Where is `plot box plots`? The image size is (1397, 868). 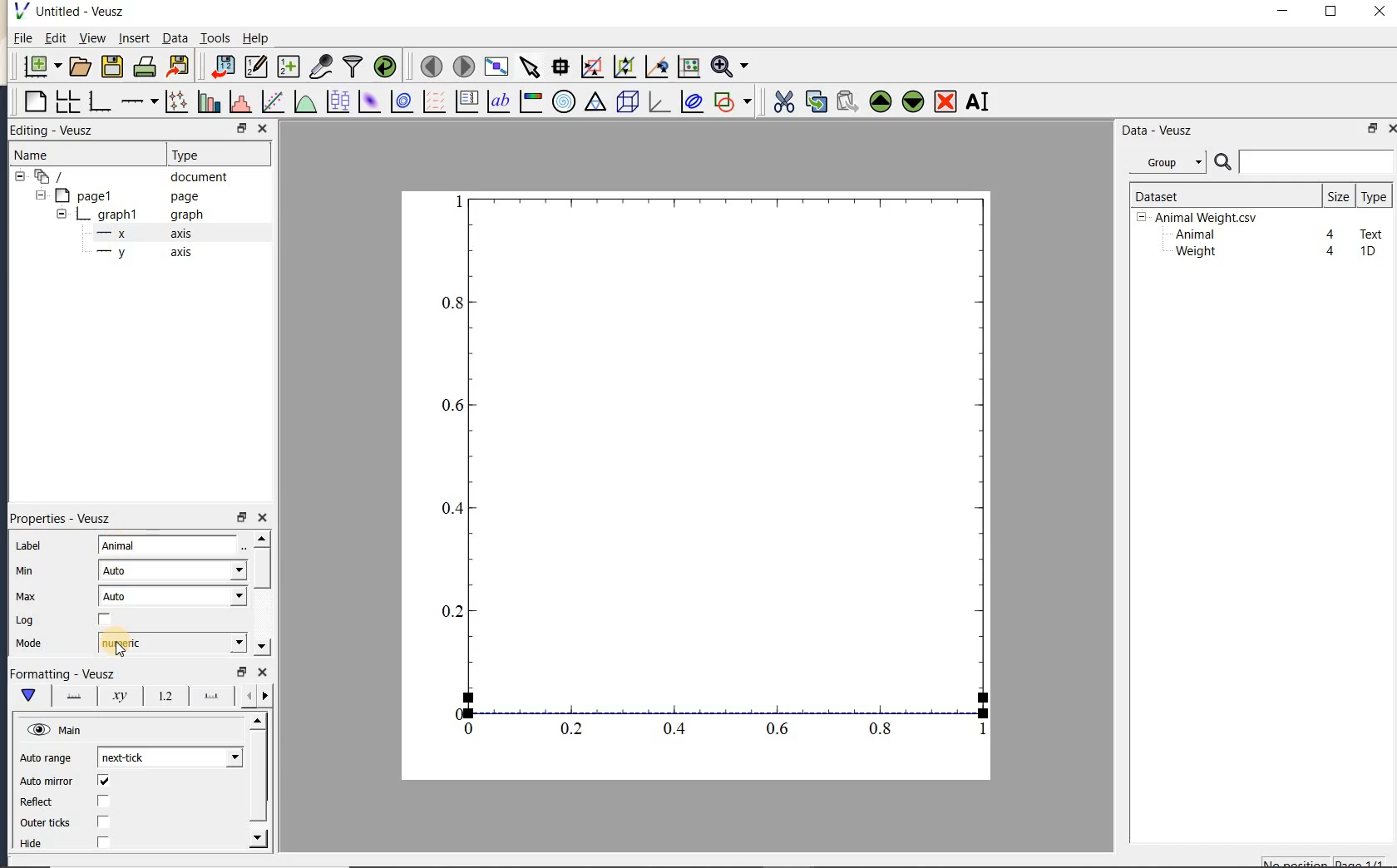
plot box plots is located at coordinates (335, 102).